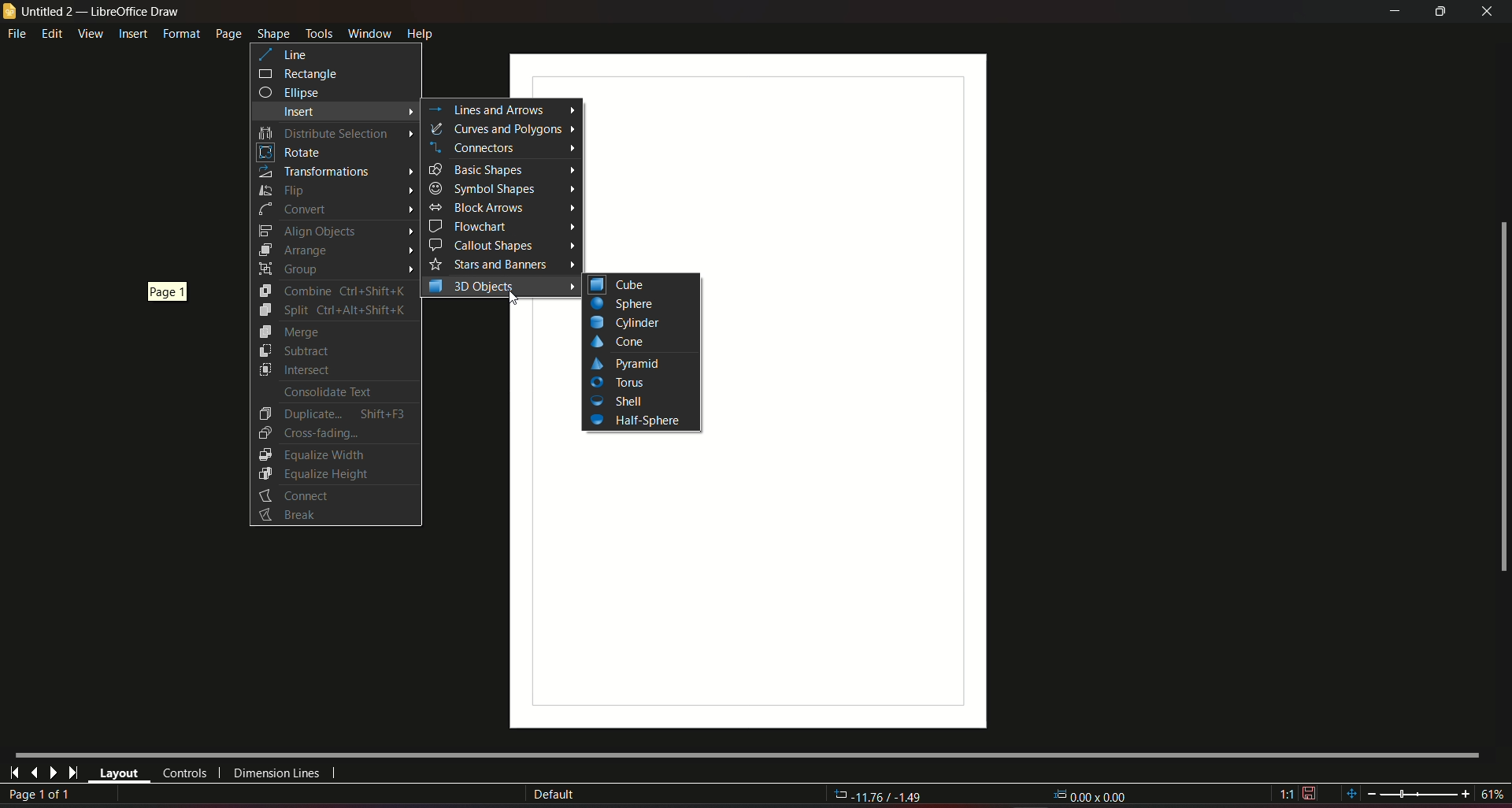  What do you see at coordinates (622, 384) in the screenshot?
I see `Tools` at bounding box center [622, 384].